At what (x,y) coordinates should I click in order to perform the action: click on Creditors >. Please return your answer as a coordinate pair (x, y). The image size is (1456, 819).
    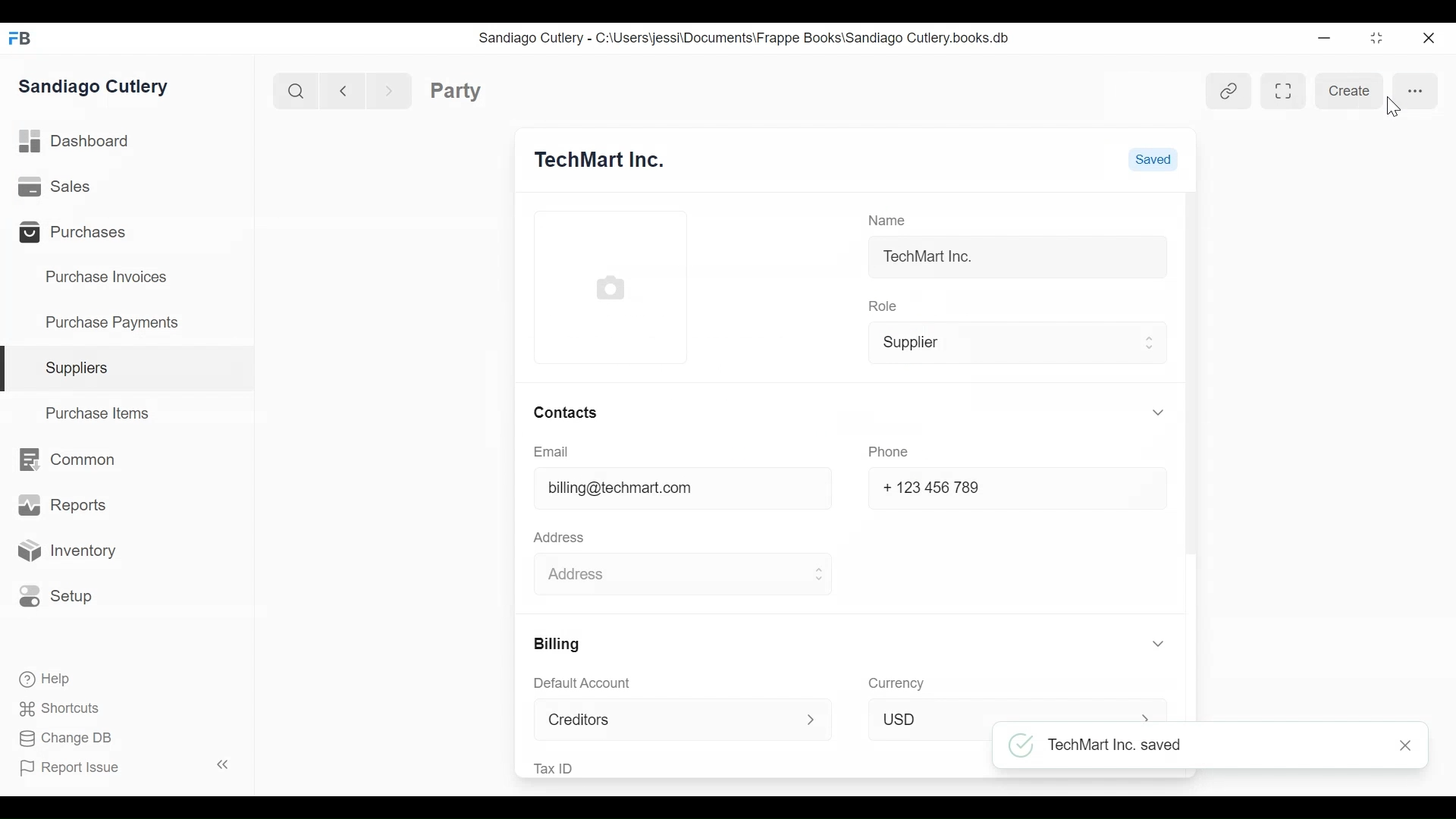
    Looking at the image, I should click on (678, 720).